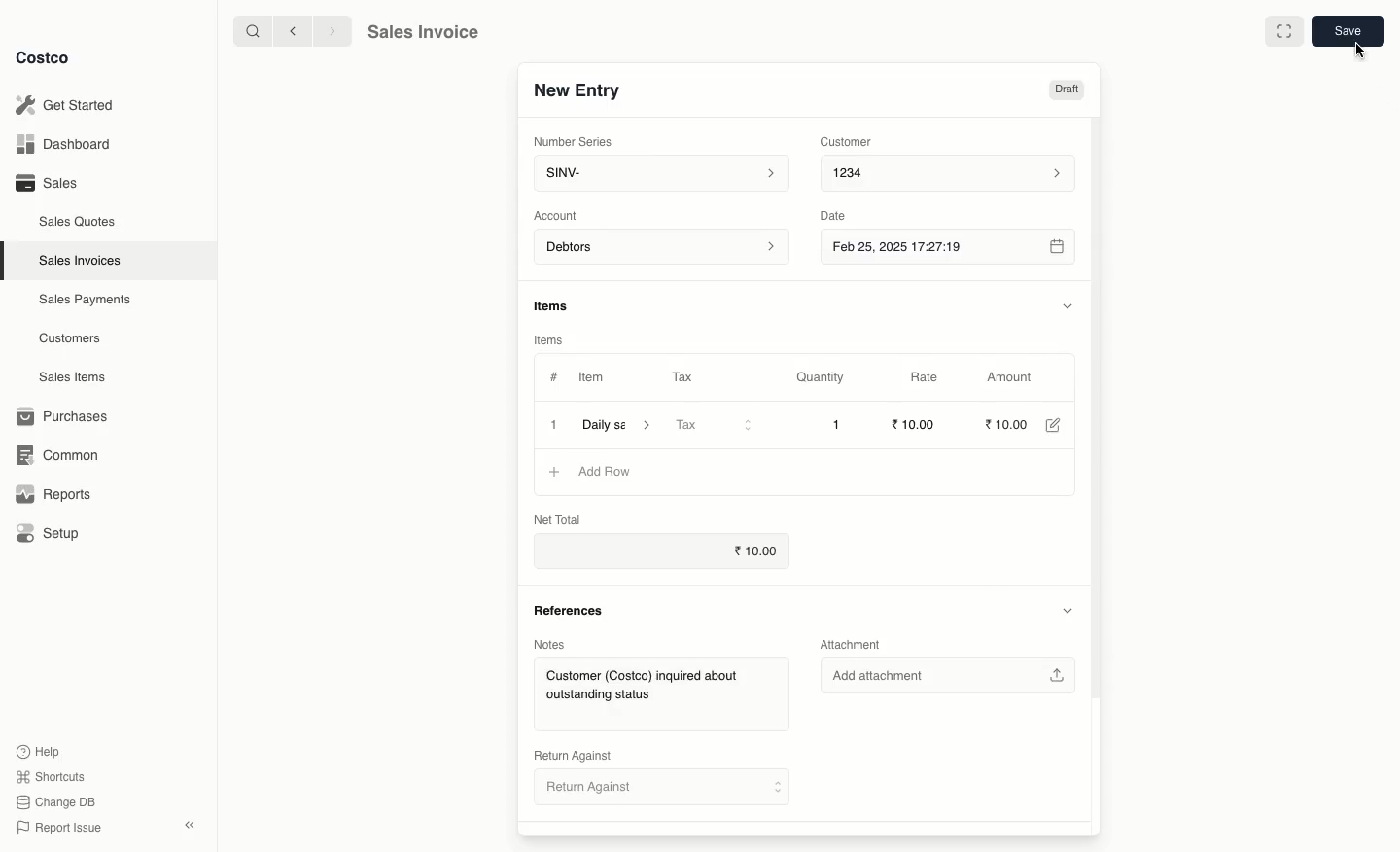 This screenshot has width=1400, height=852. Describe the element at coordinates (662, 248) in the screenshot. I see `Debtors` at that location.